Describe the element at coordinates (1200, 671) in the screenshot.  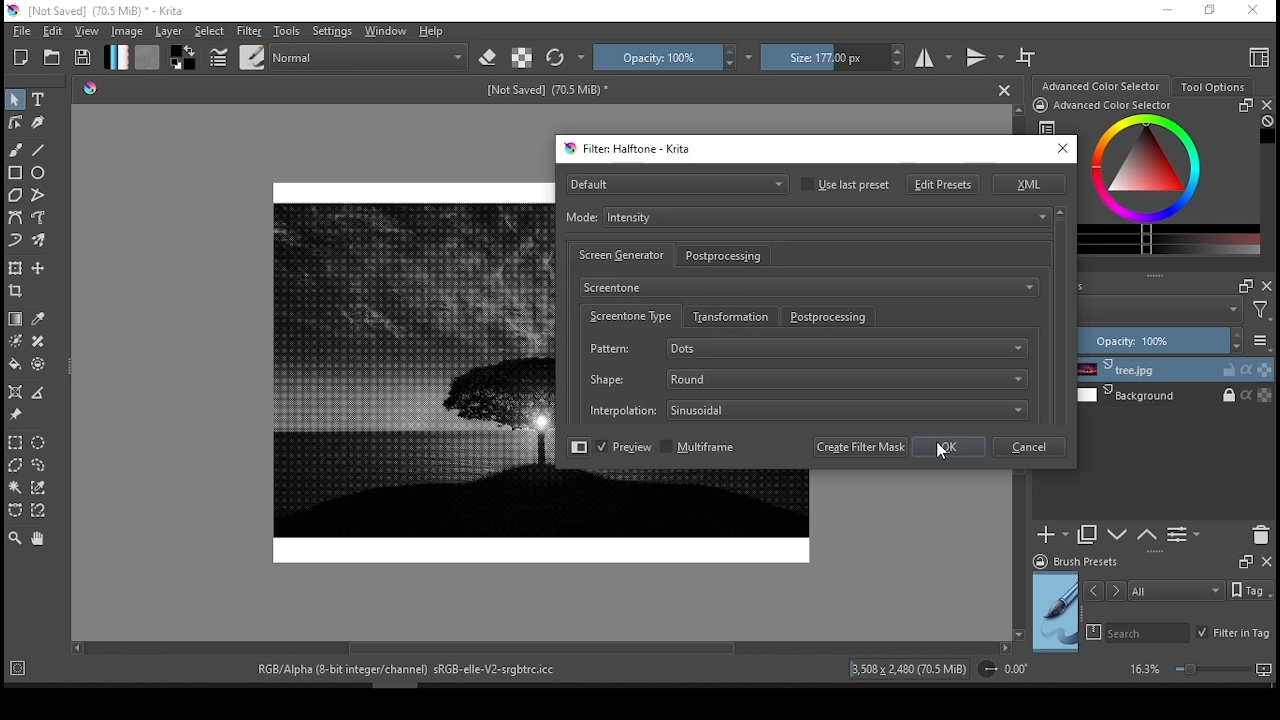
I see `zoom` at that location.